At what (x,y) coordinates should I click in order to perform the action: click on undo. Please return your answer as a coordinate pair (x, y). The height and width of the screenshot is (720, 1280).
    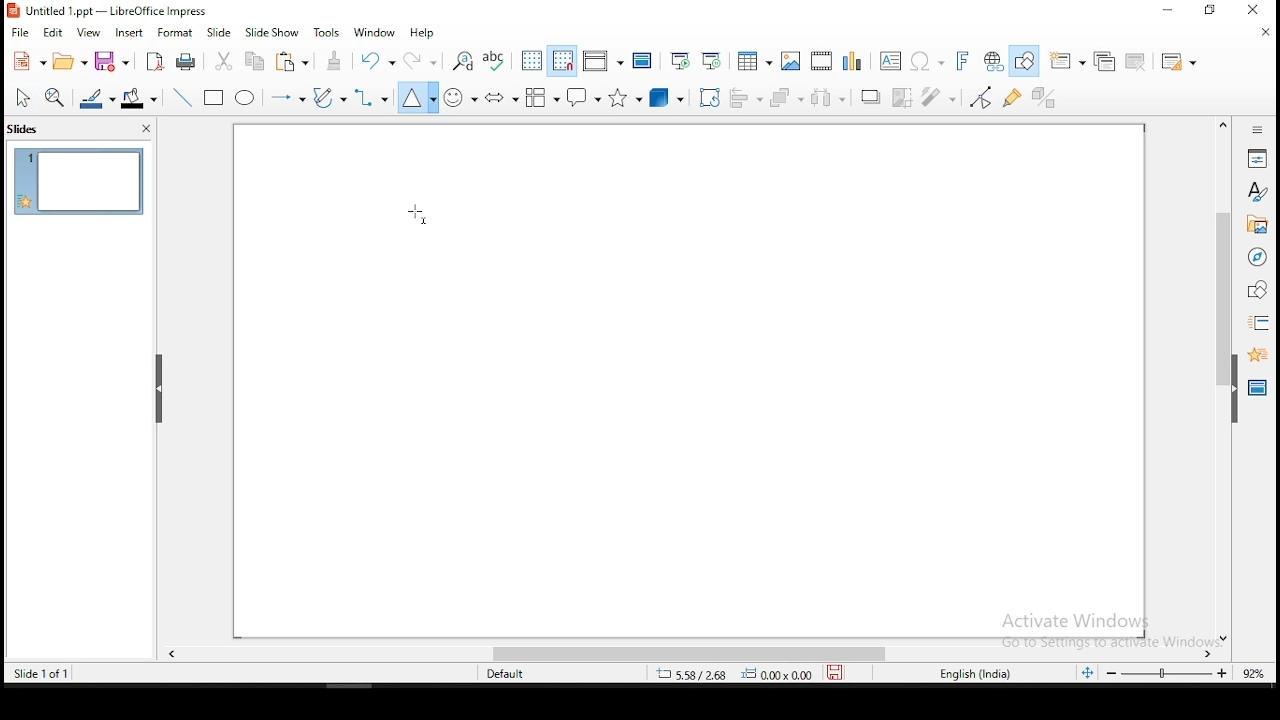
    Looking at the image, I should click on (378, 61).